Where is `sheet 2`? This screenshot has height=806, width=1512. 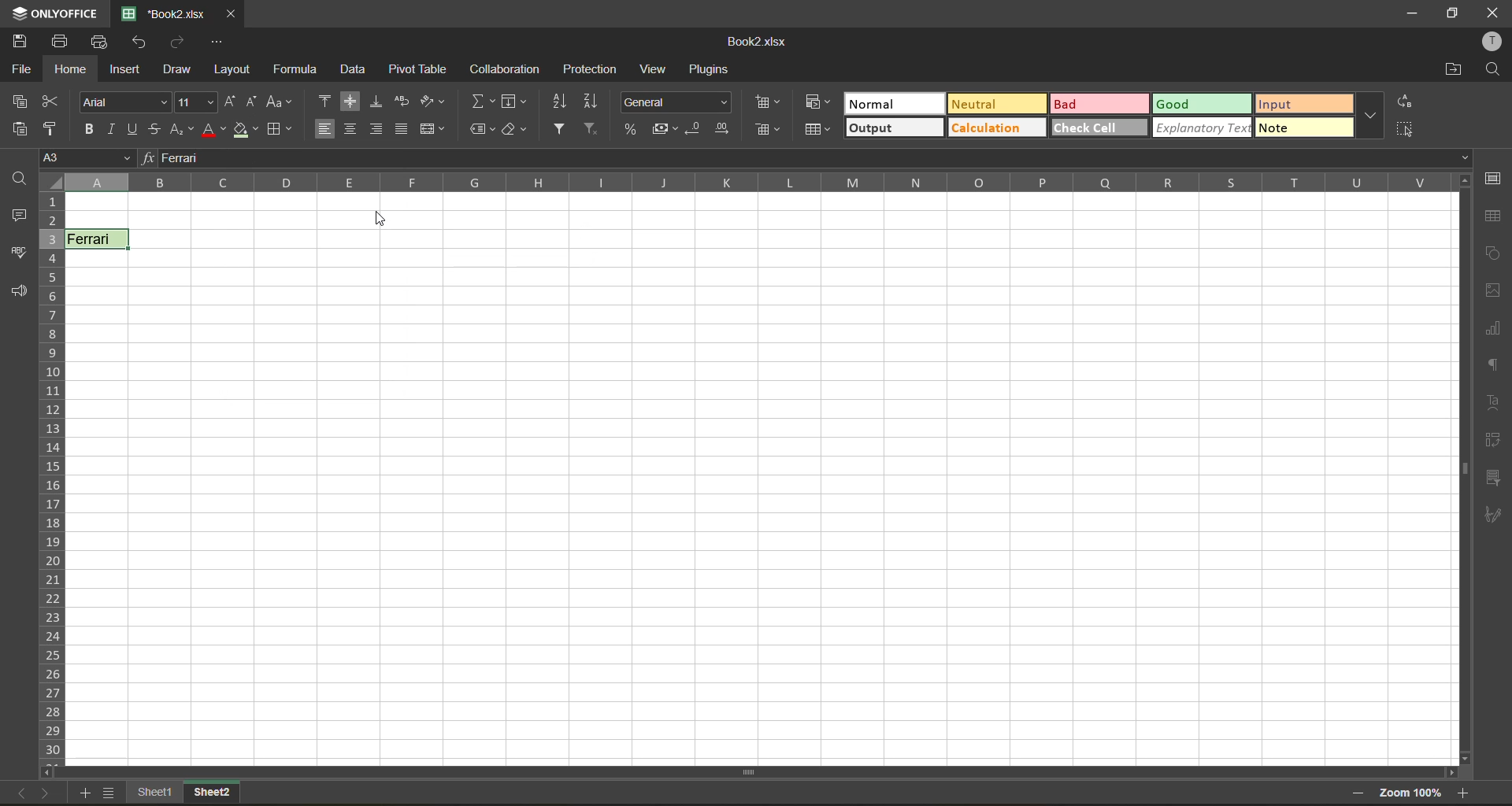
sheet 2 is located at coordinates (210, 794).